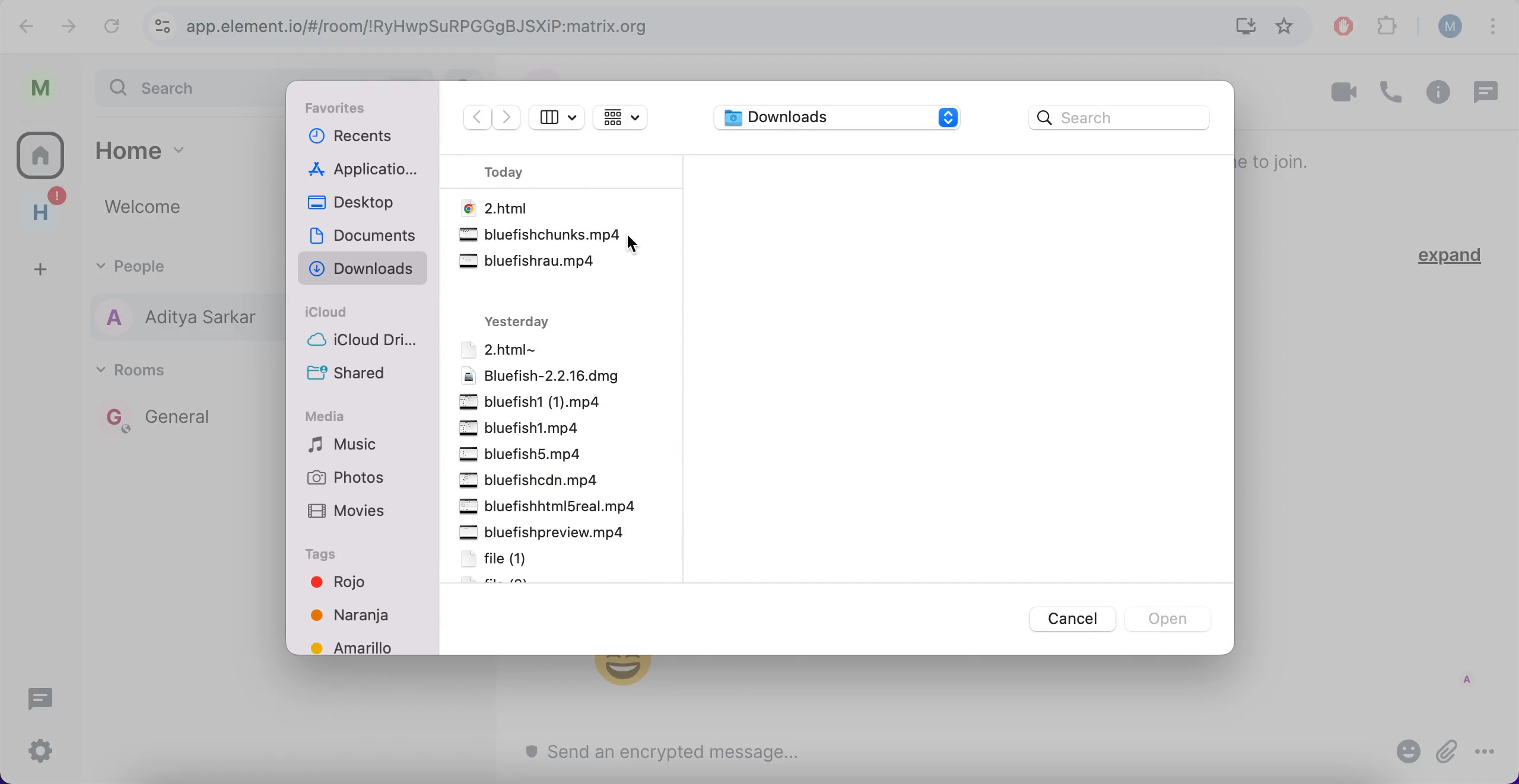 The image size is (1519, 784). I want to click on yesterday, so click(514, 322).